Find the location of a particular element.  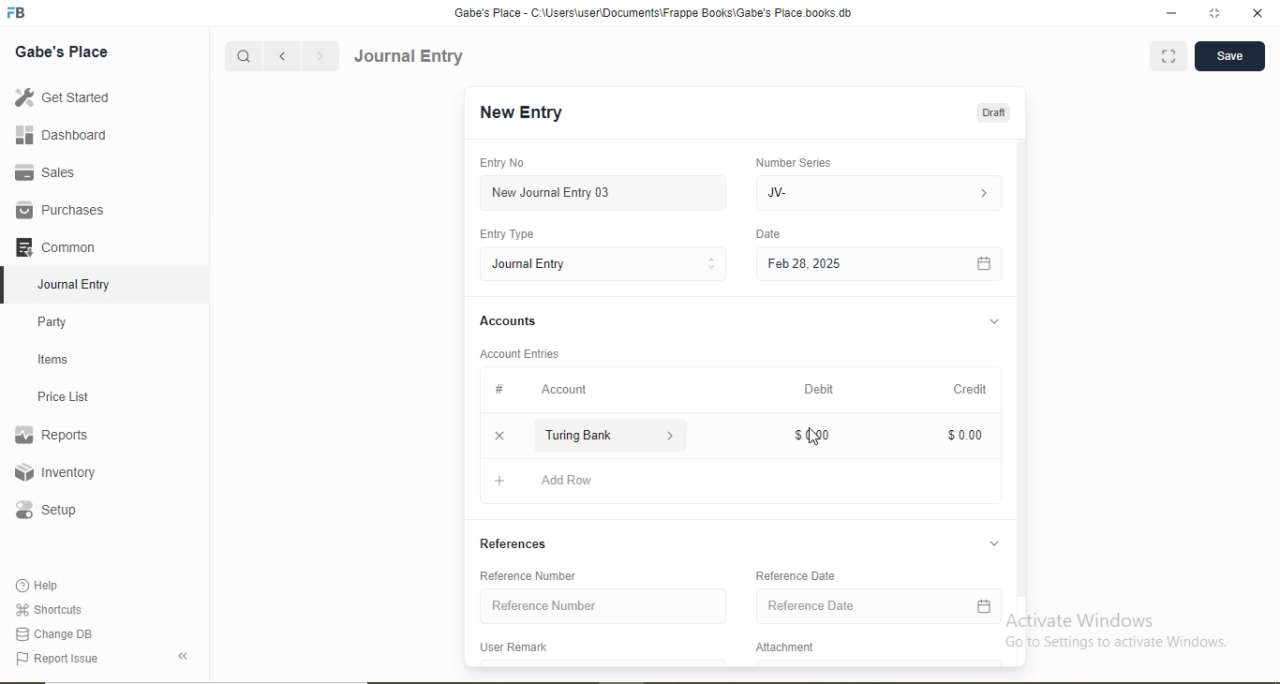

Cursor is located at coordinates (814, 438).